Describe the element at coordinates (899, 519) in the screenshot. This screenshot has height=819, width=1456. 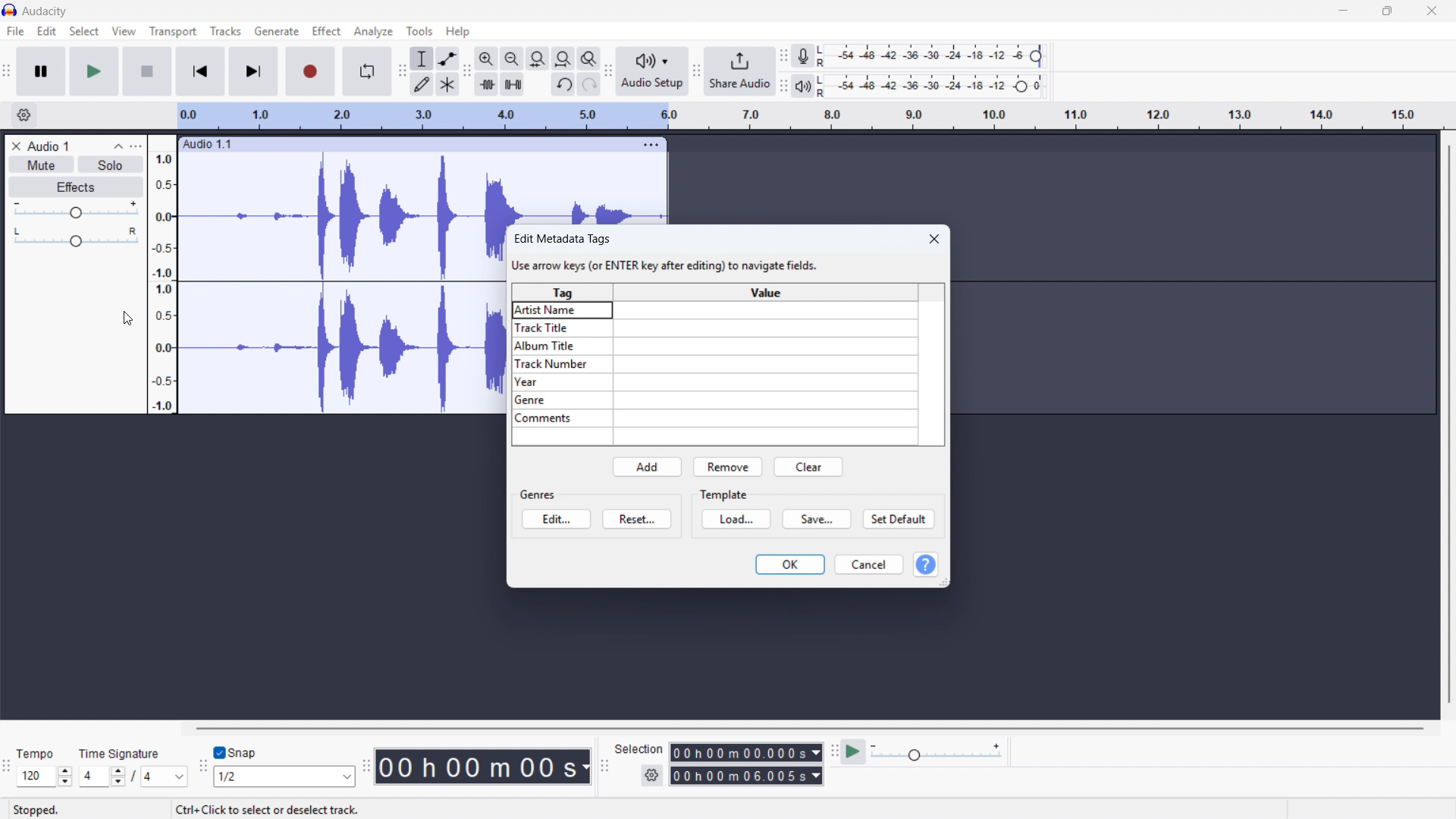
I see `set default` at that location.